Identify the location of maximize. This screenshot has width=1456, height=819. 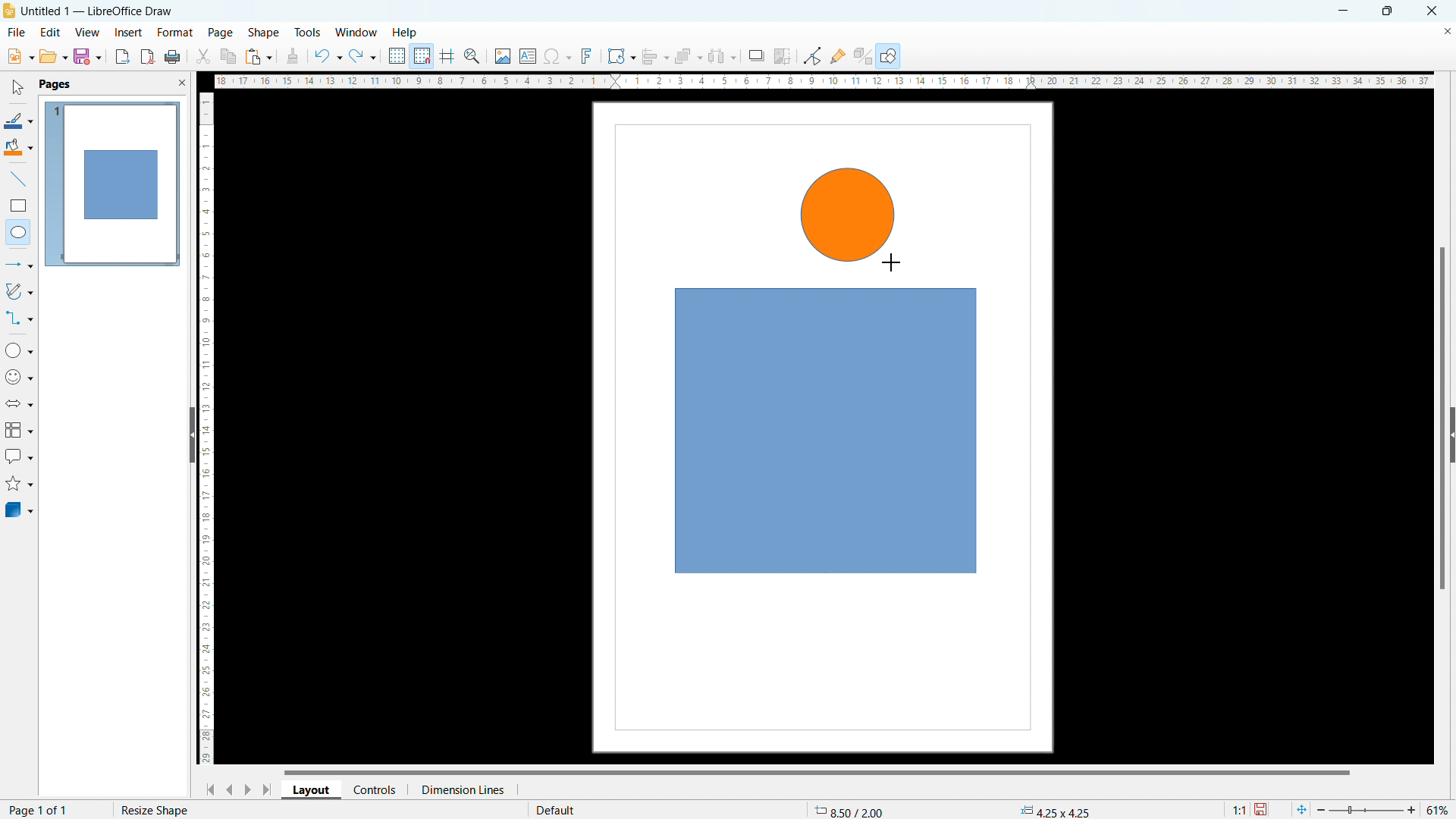
(1386, 11).